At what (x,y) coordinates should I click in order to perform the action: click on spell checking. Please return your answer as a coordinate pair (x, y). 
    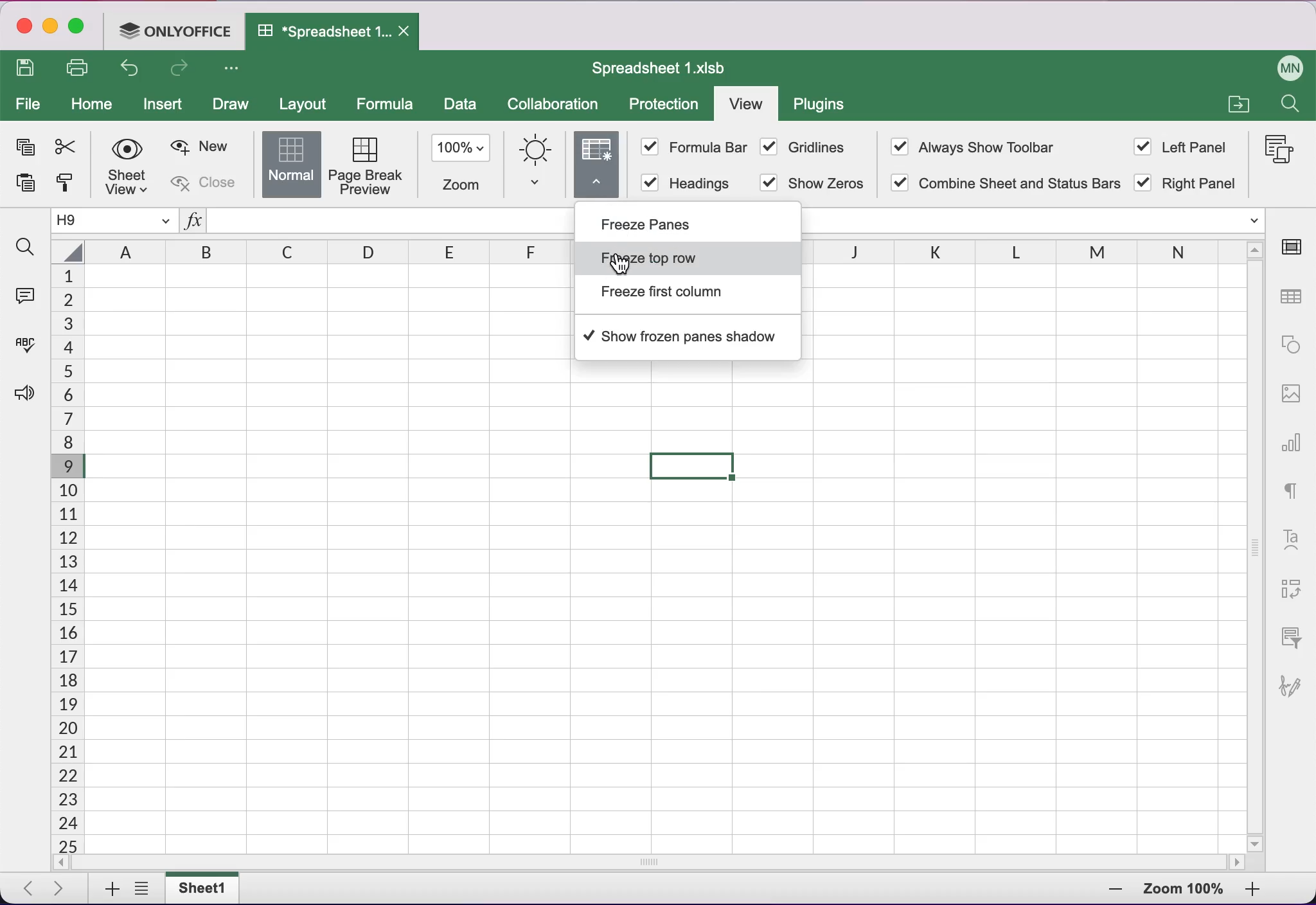
    Looking at the image, I should click on (29, 341).